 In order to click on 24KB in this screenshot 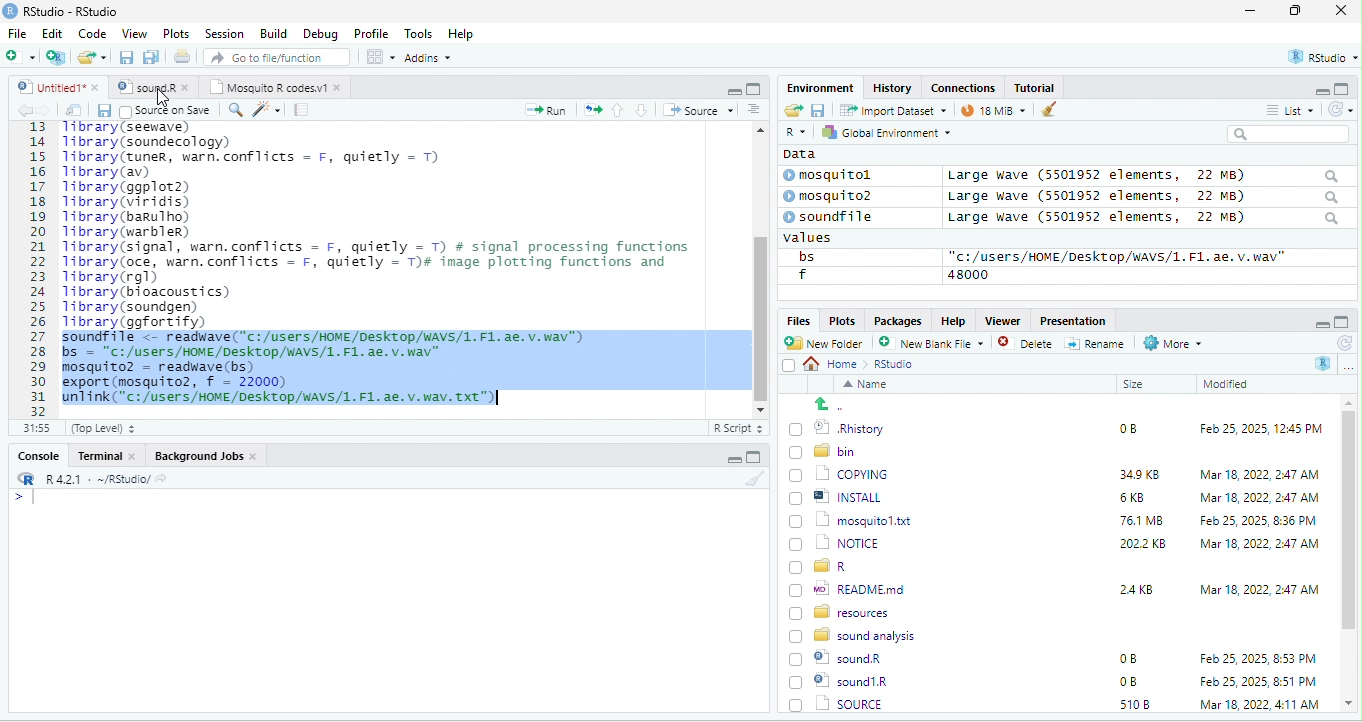, I will do `click(1133, 588)`.